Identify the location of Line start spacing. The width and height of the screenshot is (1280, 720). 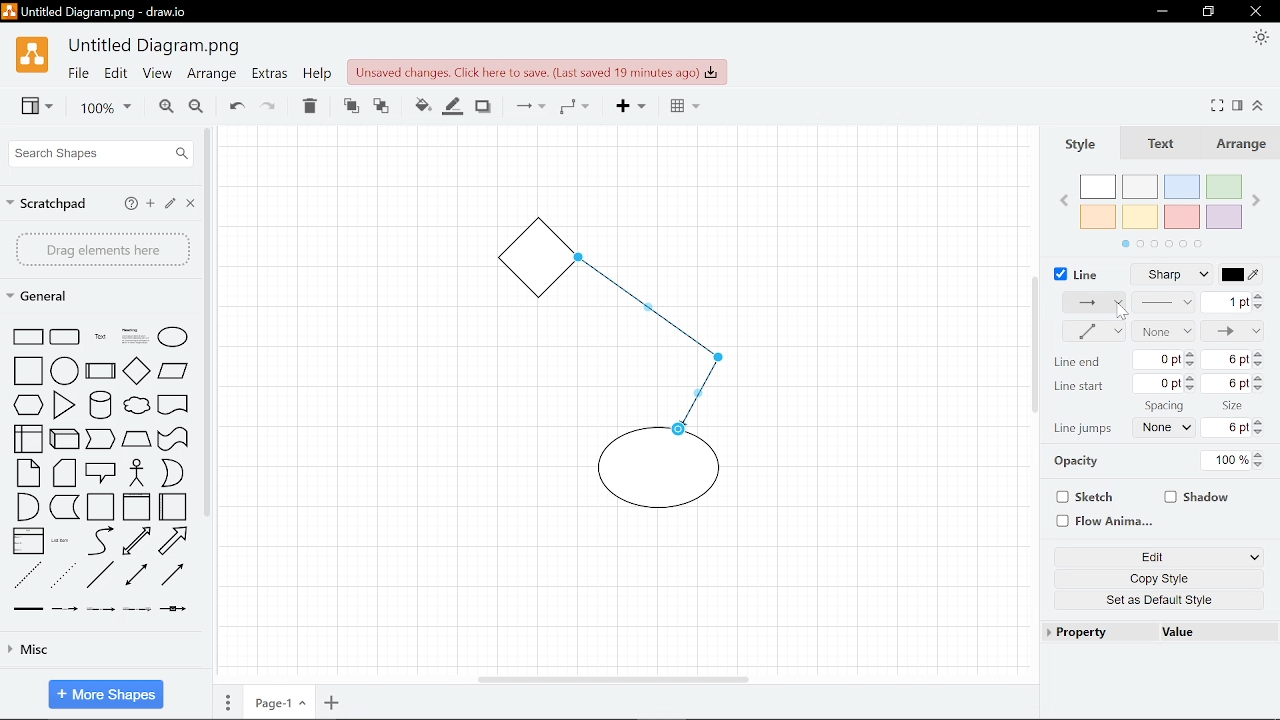
(1161, 384).